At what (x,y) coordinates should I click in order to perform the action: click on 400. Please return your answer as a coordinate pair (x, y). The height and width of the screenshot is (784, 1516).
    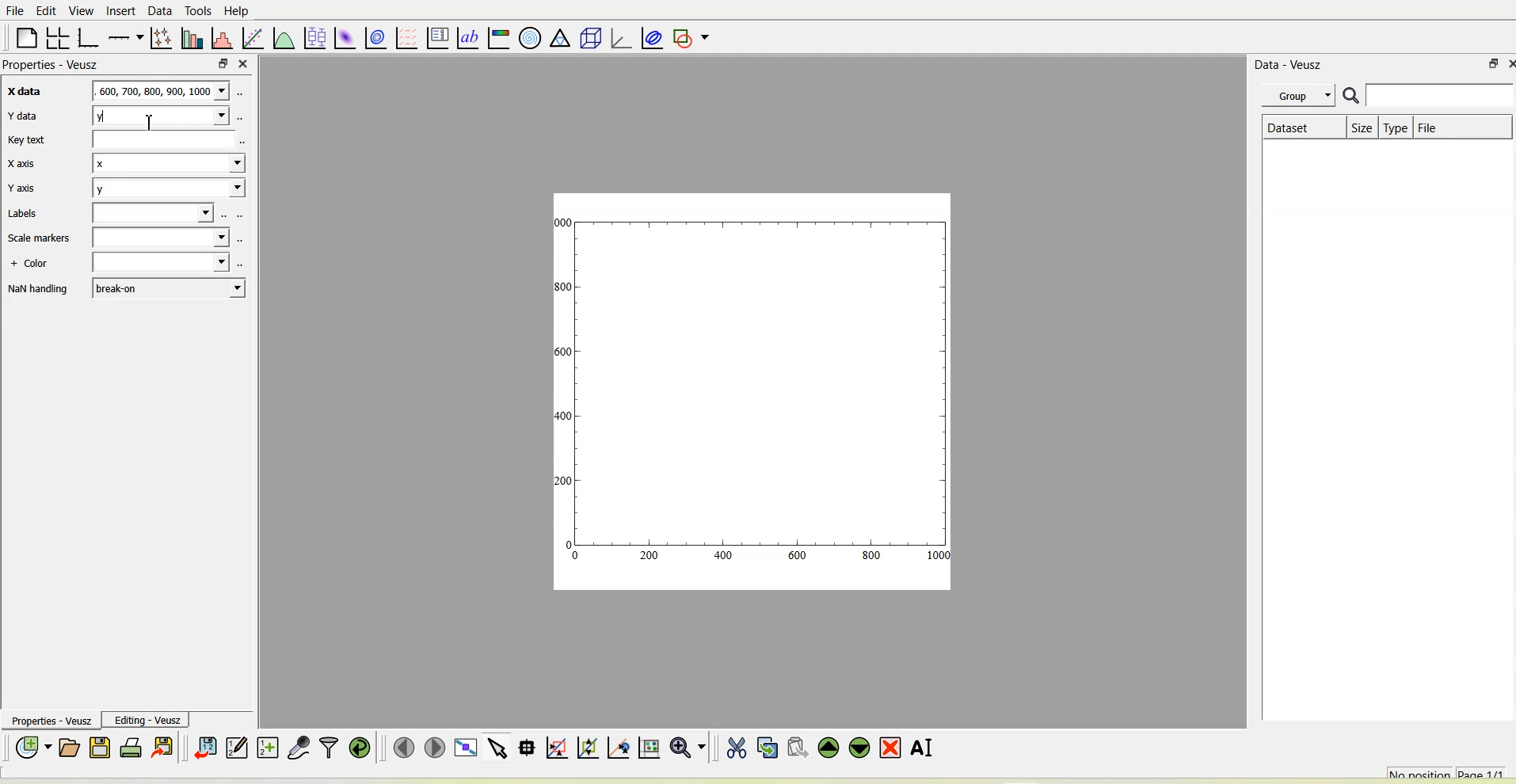
    Looking at the image, I should click on (722, 557).